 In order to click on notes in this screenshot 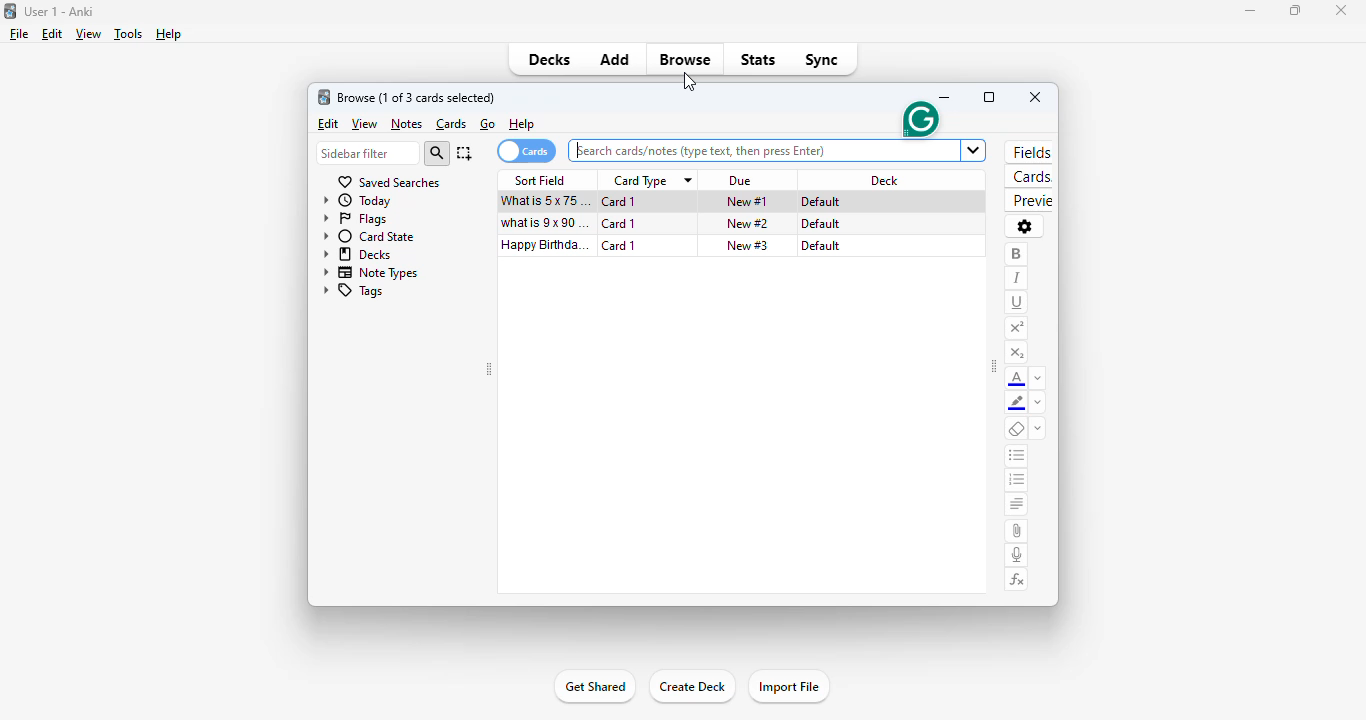, I will do `click(406, 124)`.